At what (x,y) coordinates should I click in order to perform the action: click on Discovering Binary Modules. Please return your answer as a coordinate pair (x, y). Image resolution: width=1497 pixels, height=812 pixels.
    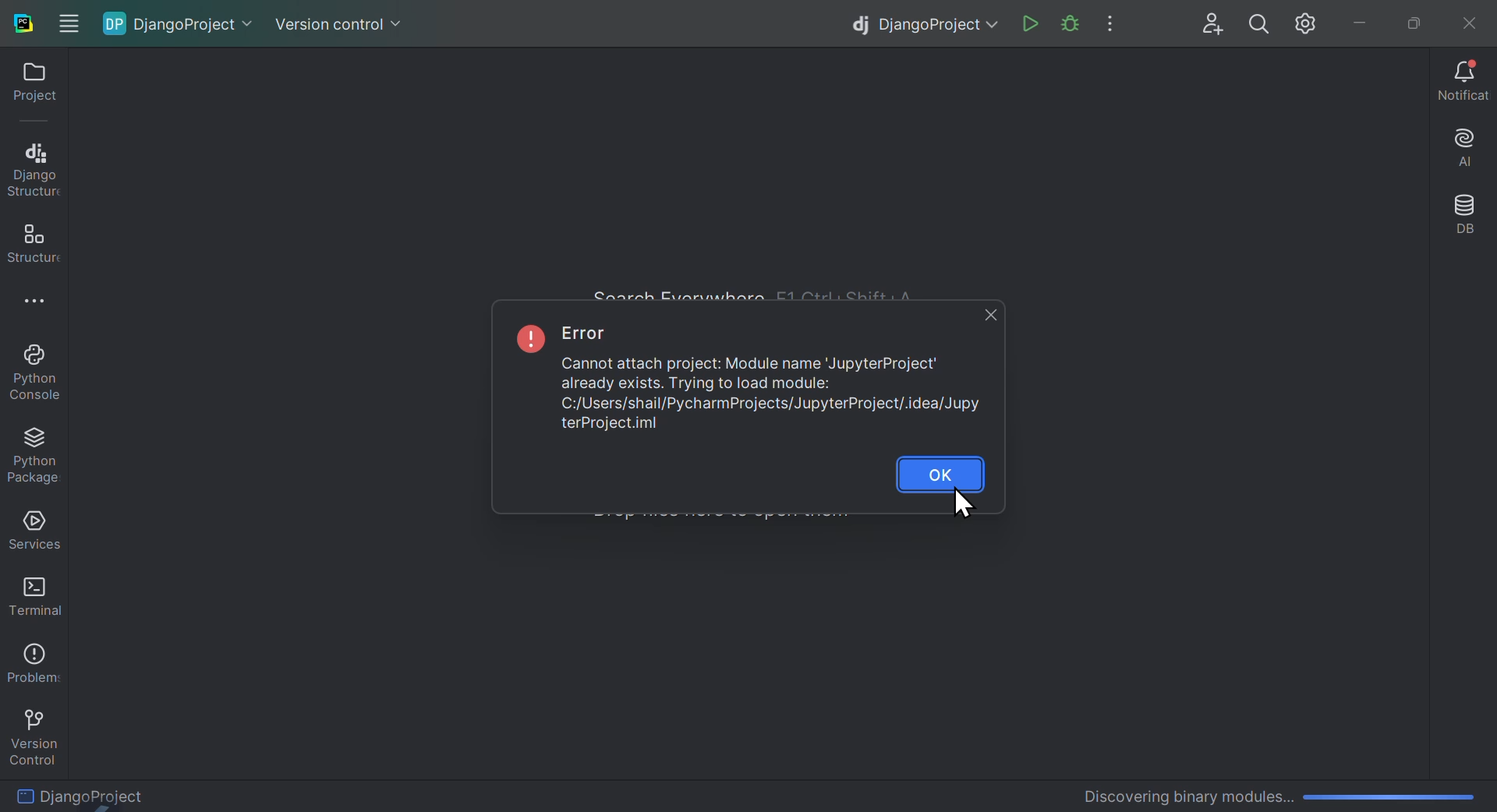
    Looking at the image, I should click on (1272, 793).